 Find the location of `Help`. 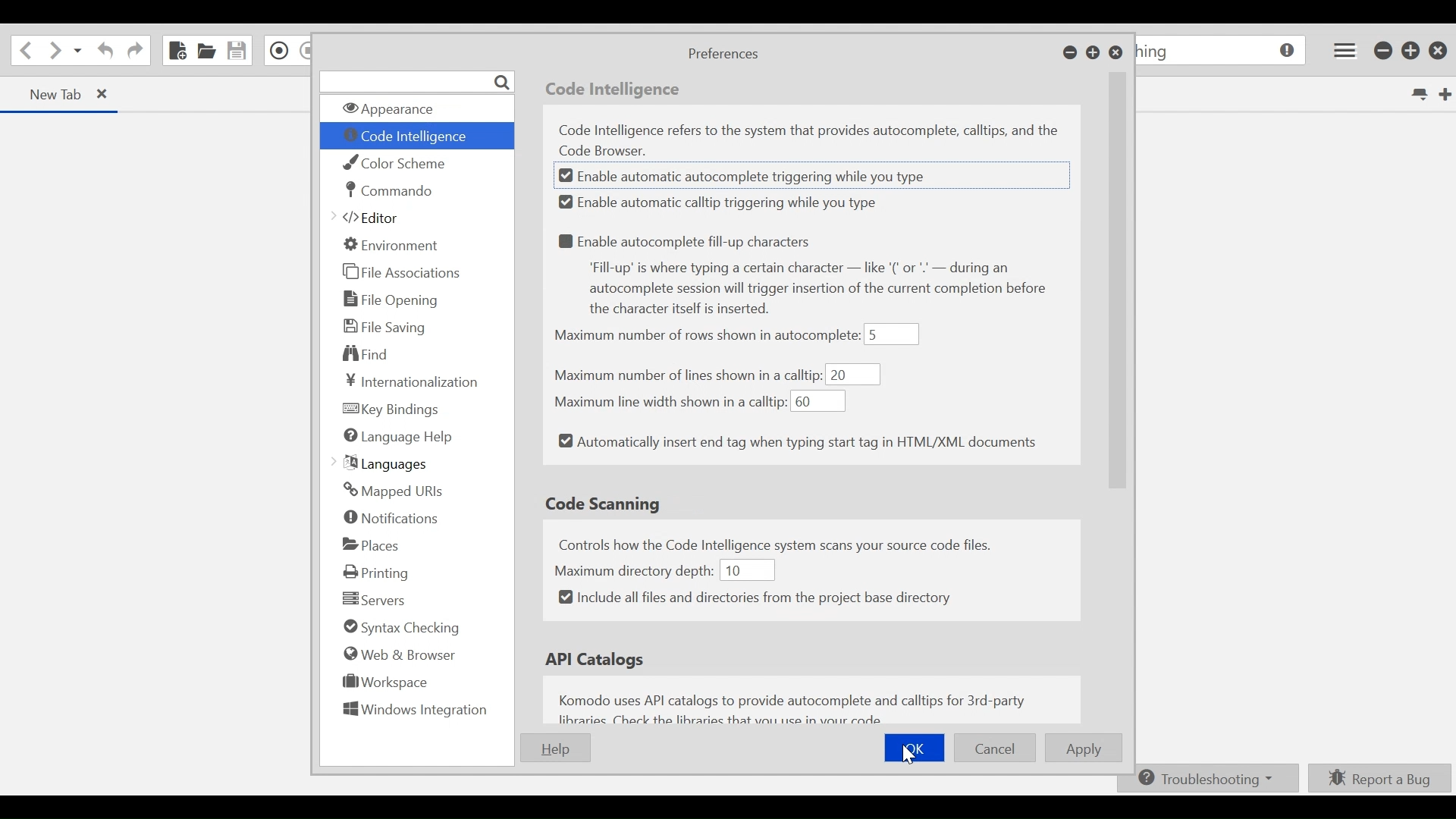

Help is located at coordinates (554, 748).